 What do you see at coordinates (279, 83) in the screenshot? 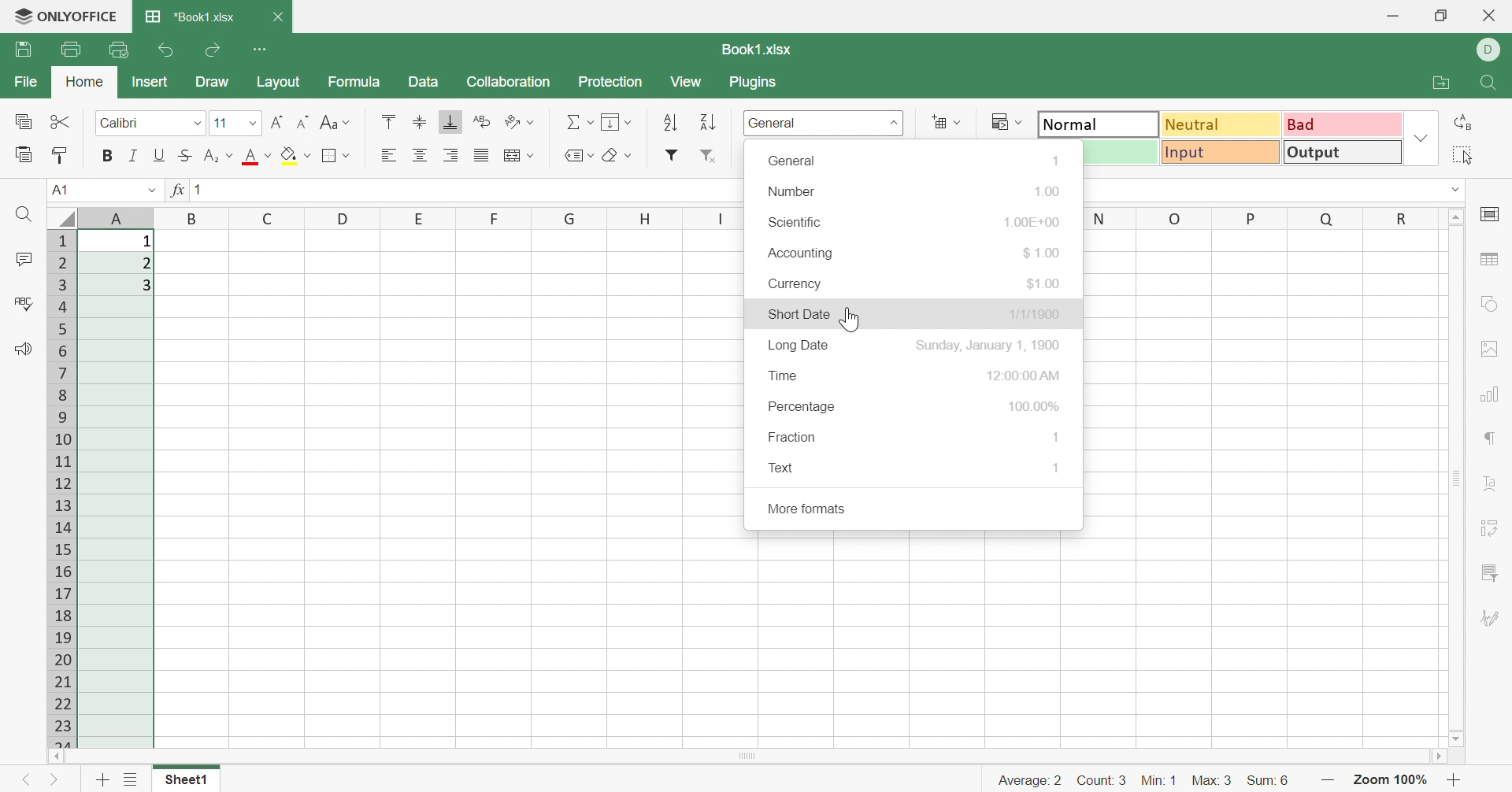
I see `Layout` at bounding box center [279, 83].